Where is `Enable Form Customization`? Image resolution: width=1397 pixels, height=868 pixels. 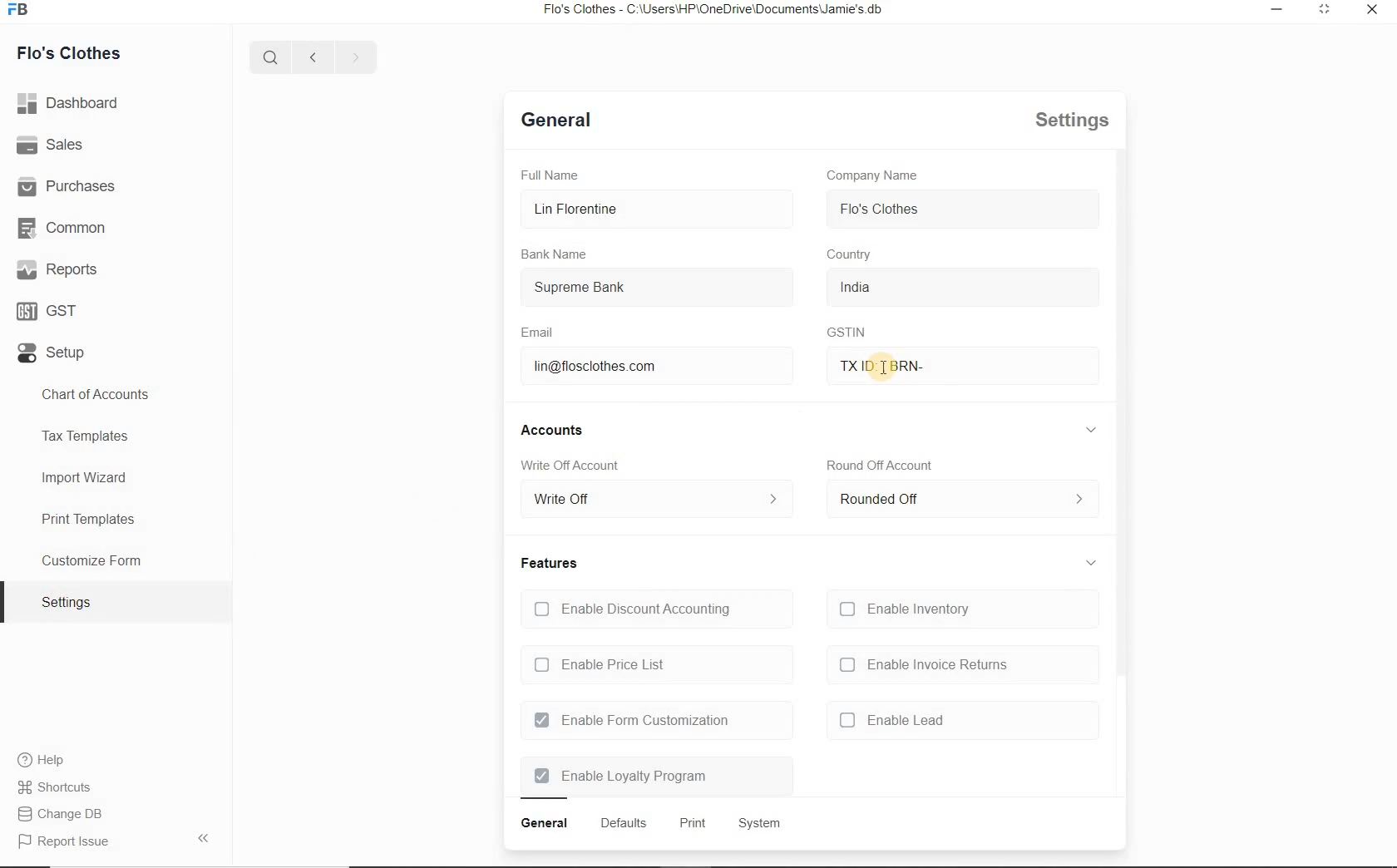
Enable Form Customization is located at coordinates (631, 721).